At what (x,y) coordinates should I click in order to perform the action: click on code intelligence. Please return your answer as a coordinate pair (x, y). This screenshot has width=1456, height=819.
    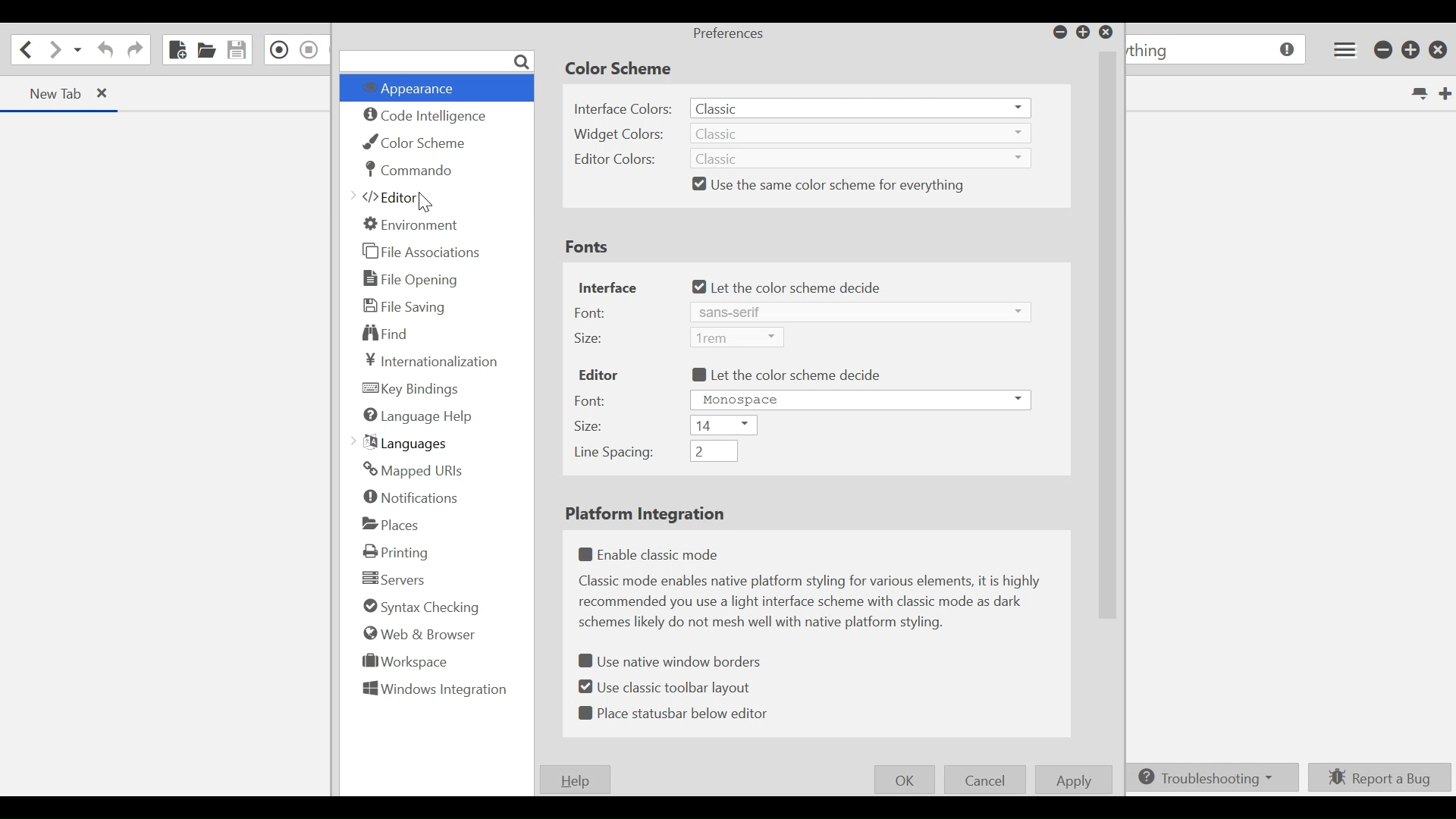
    Looking at the image, I should click on (427, 117).